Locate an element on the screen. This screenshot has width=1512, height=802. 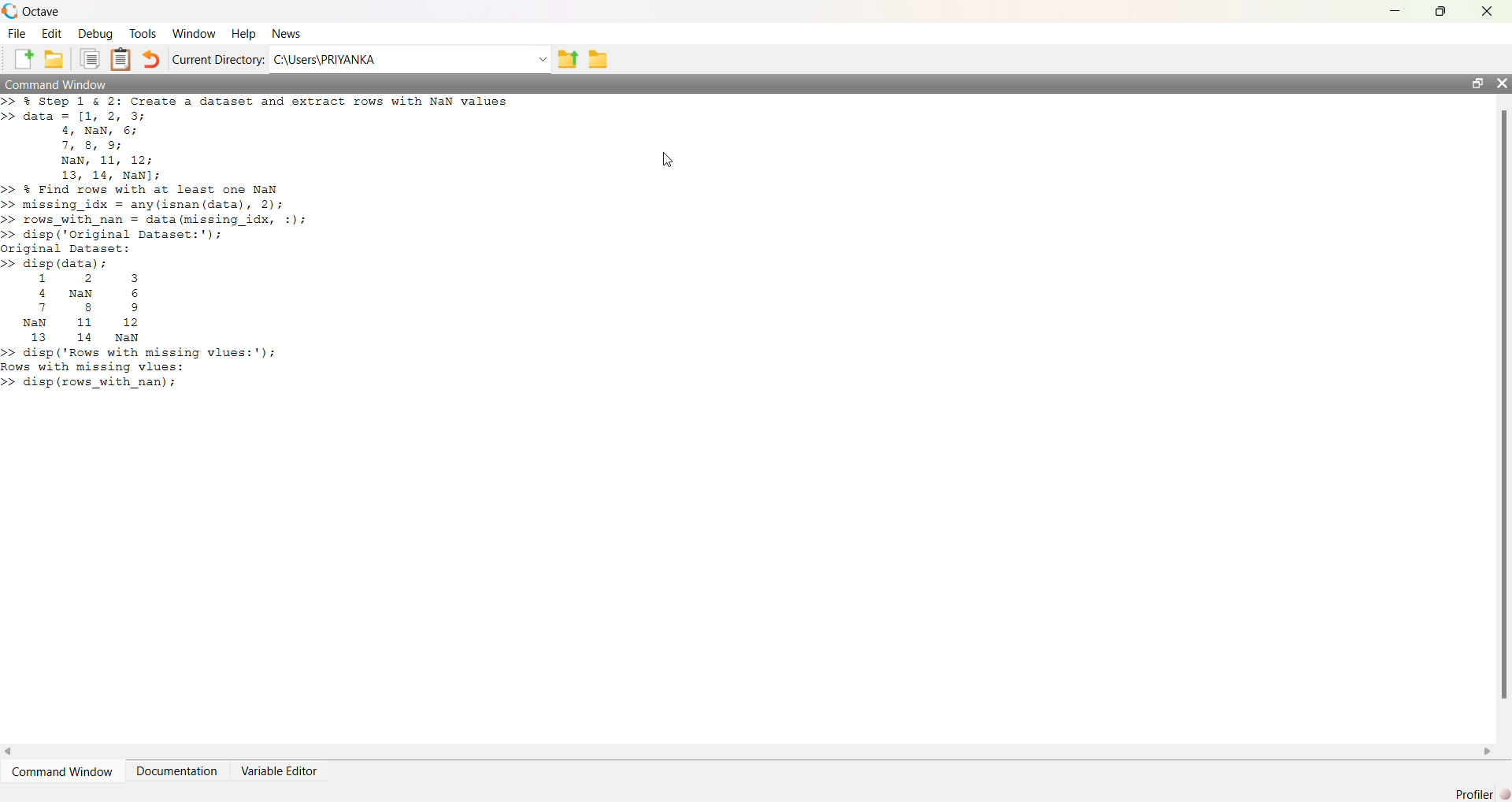
maximize is located at coordinates (1477, 83).